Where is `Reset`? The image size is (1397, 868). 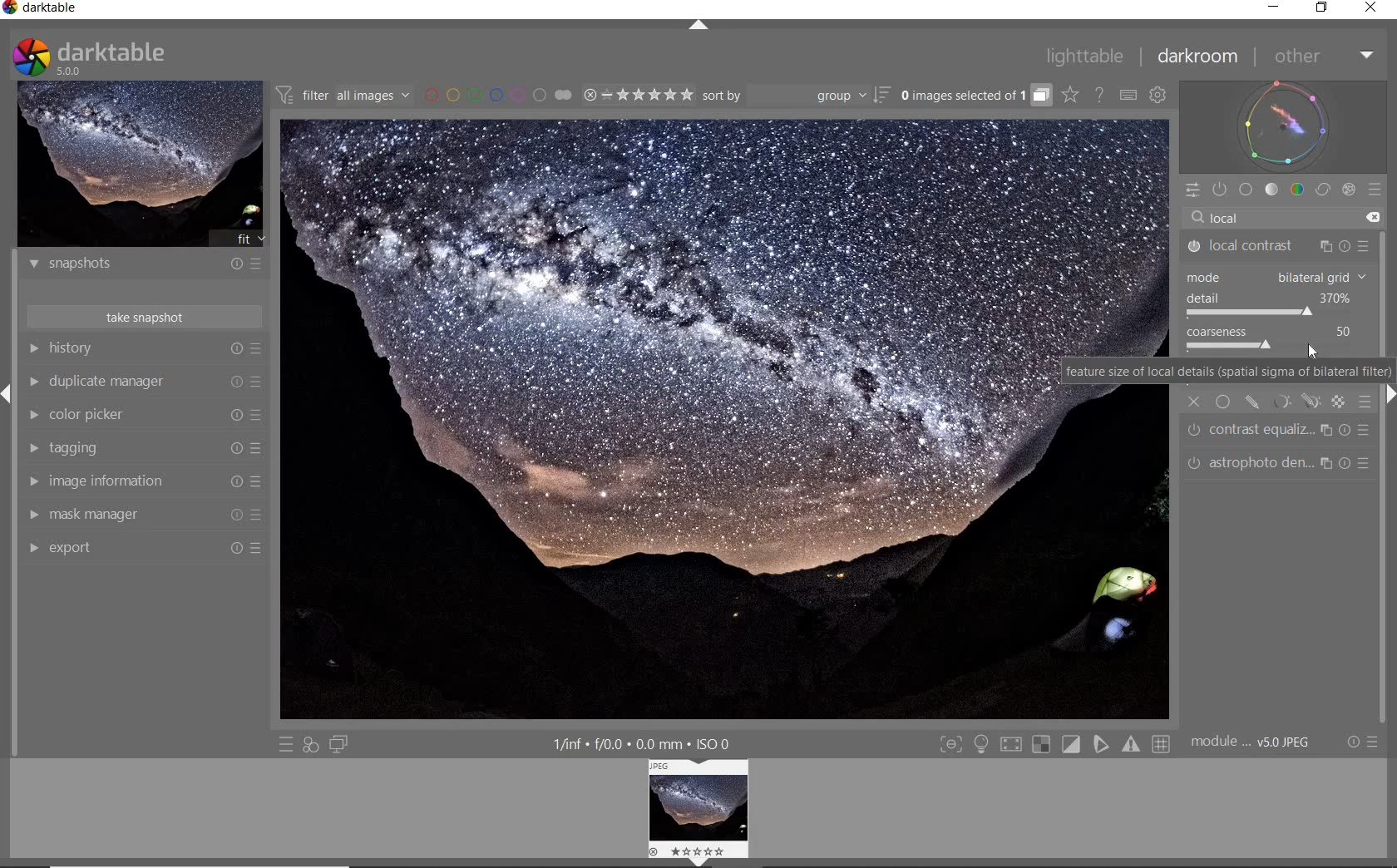 Reset is located at coordinates (234, 448).